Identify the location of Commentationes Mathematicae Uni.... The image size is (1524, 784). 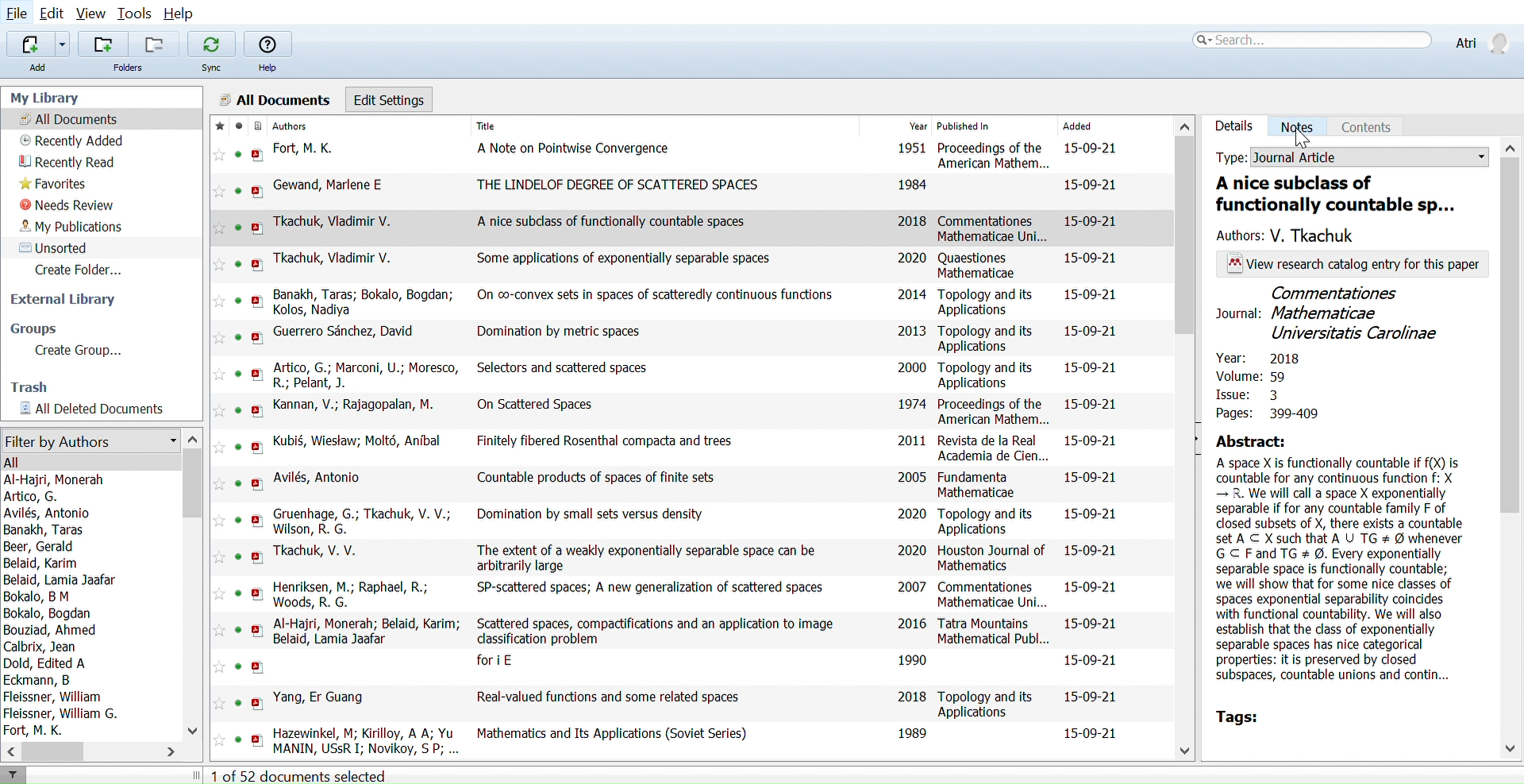
(994, 594).